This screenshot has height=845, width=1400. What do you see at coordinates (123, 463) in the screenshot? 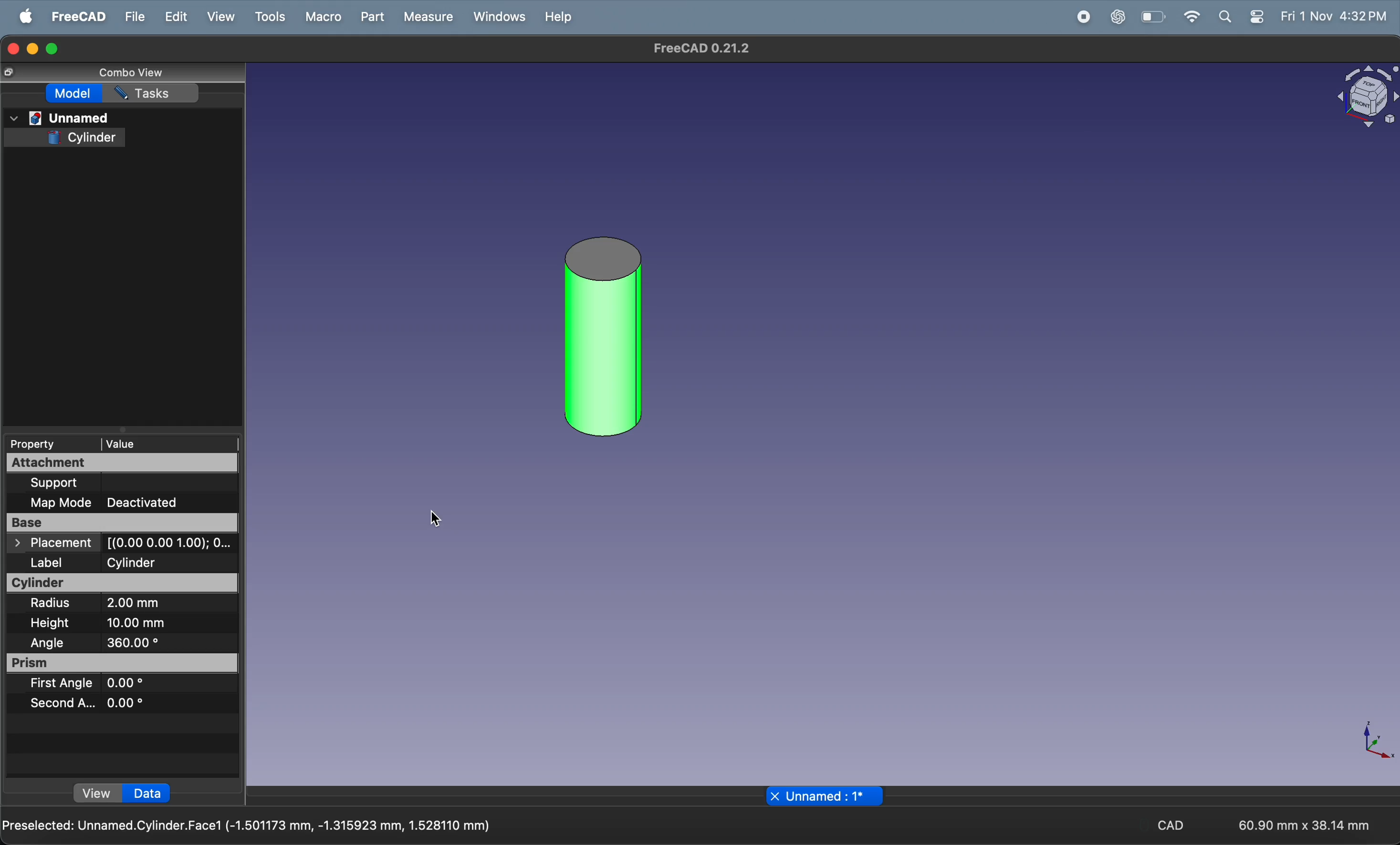
I see `attachment` at bounding box center [123, 463].